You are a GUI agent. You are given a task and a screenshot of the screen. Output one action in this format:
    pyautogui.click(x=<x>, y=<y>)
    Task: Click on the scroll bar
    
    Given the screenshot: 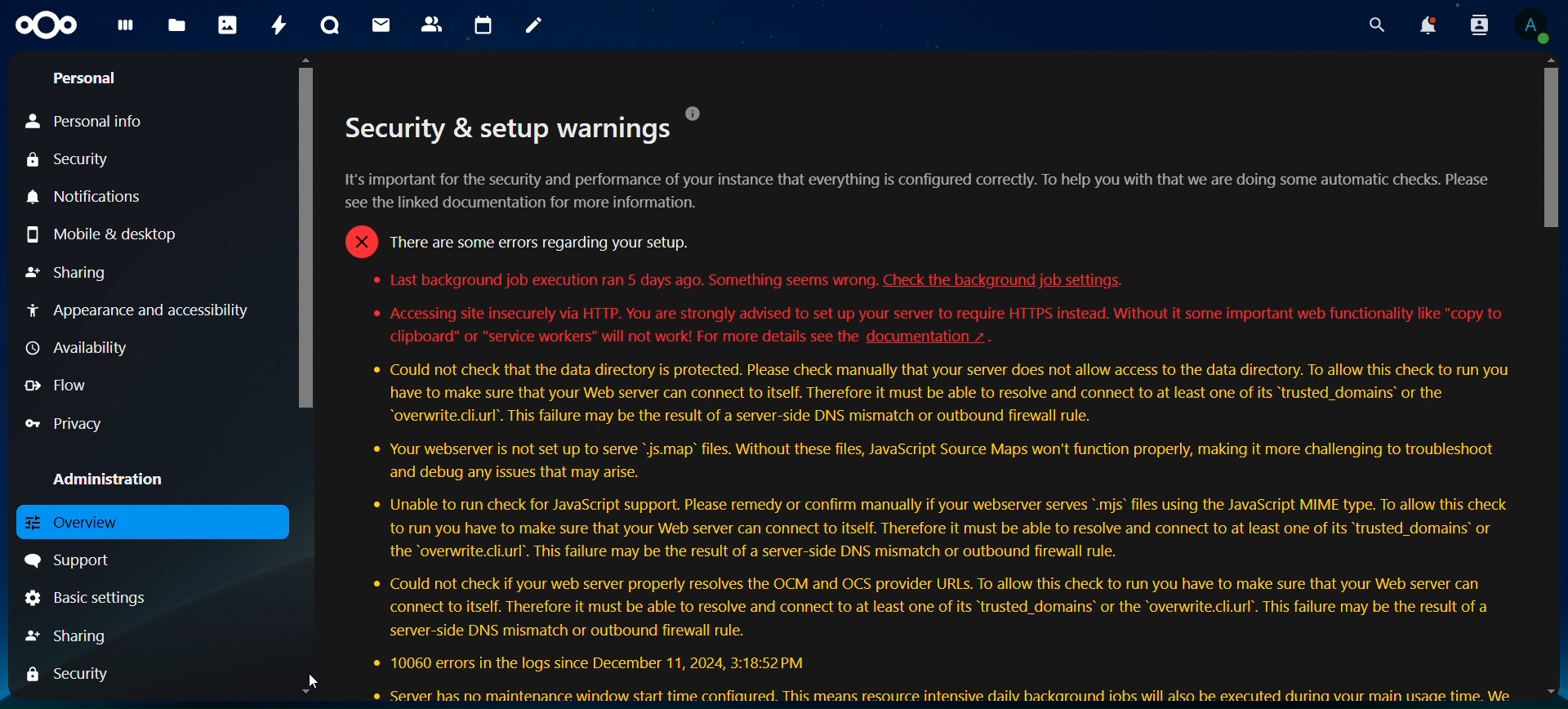 What is the action you would take?
    pyautogui.click(x=1555, y=147)
    